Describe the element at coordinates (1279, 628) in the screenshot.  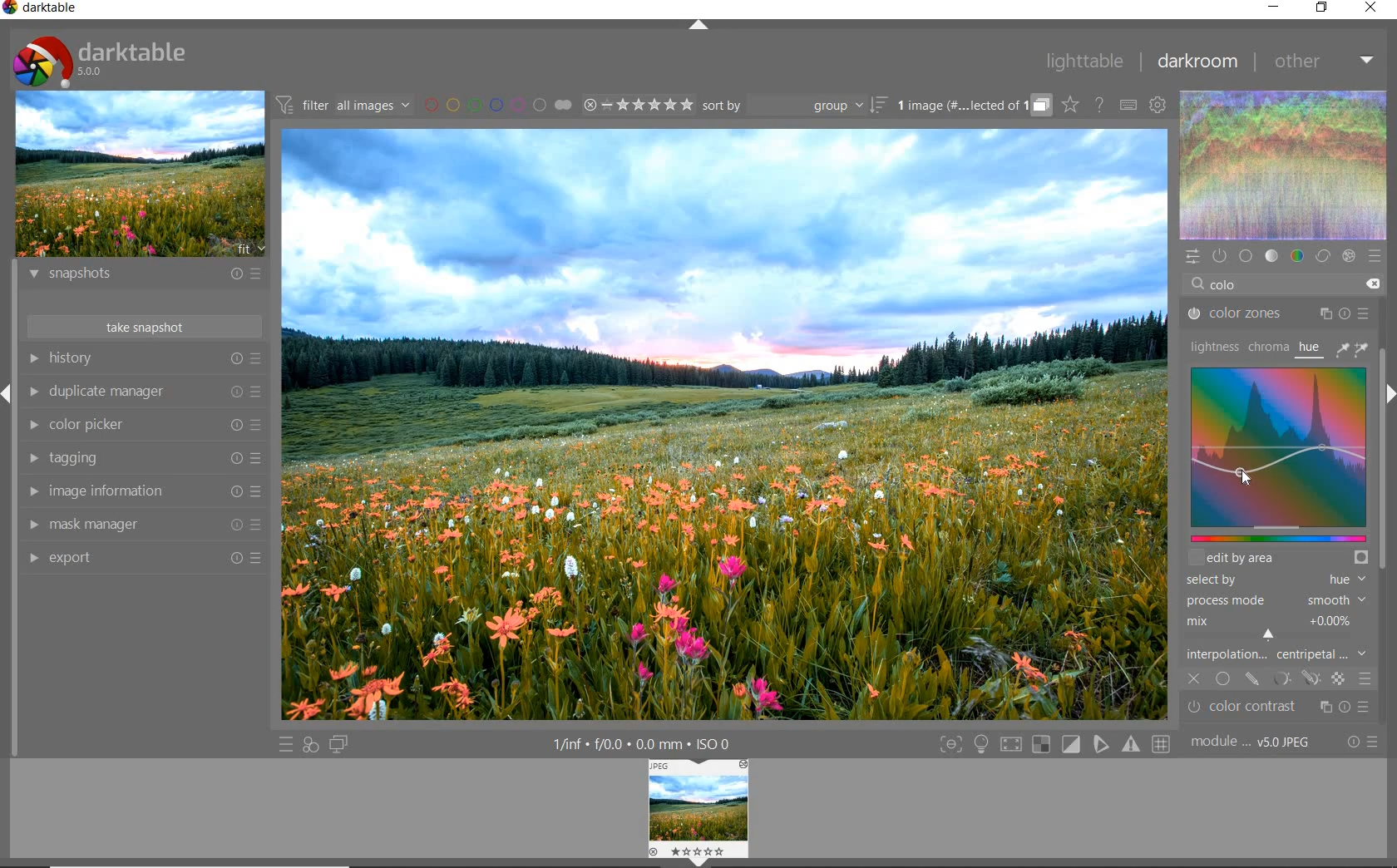
I see `mix` at that location.